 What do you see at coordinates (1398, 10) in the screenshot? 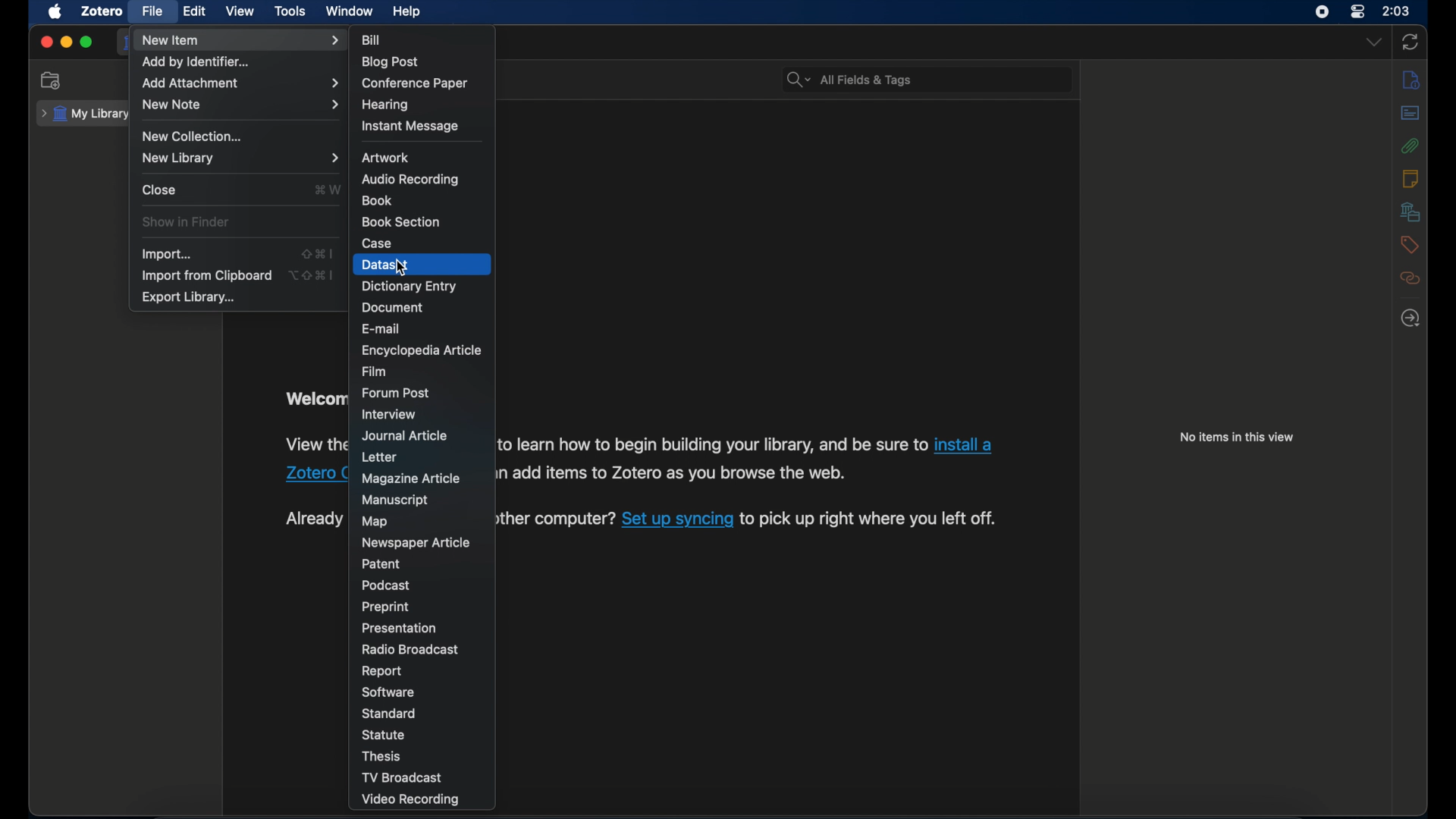
I see `time` at bounding box center [1398, 10].